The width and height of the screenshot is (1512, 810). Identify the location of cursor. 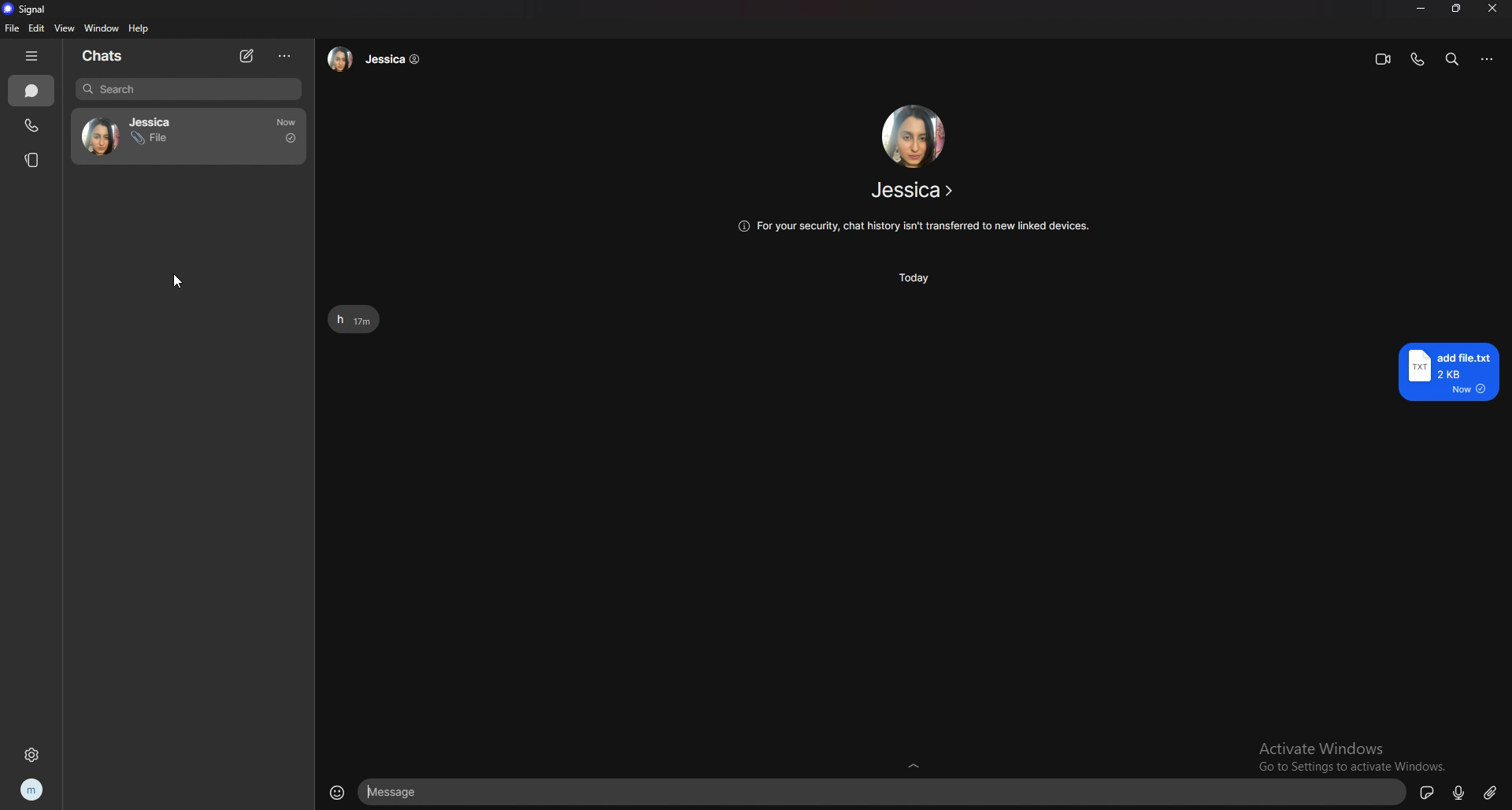
(178, 282).